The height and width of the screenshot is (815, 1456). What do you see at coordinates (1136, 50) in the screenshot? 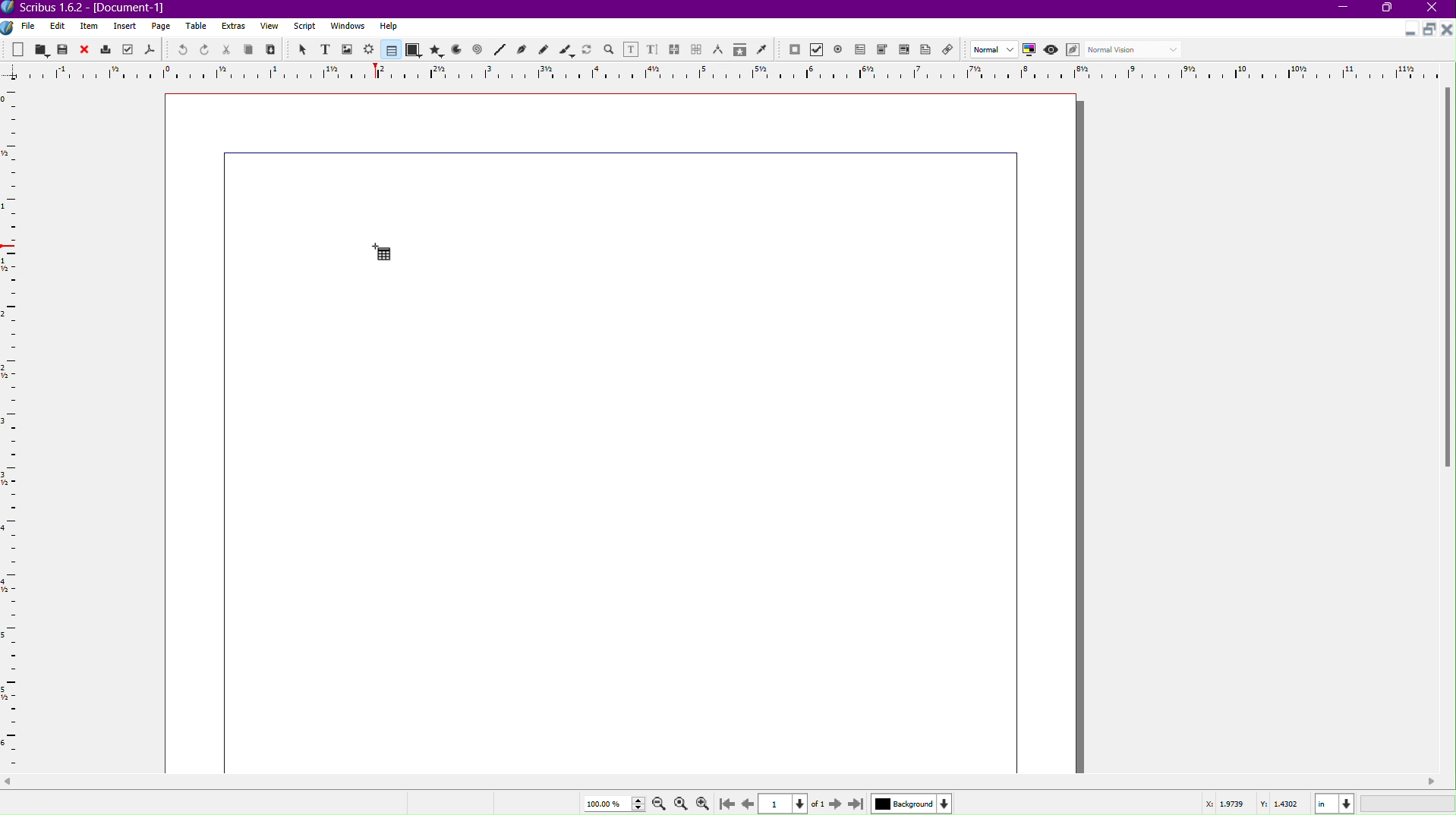
I see `Select the visual appearance of the display` at bounding box center [1136, 50].